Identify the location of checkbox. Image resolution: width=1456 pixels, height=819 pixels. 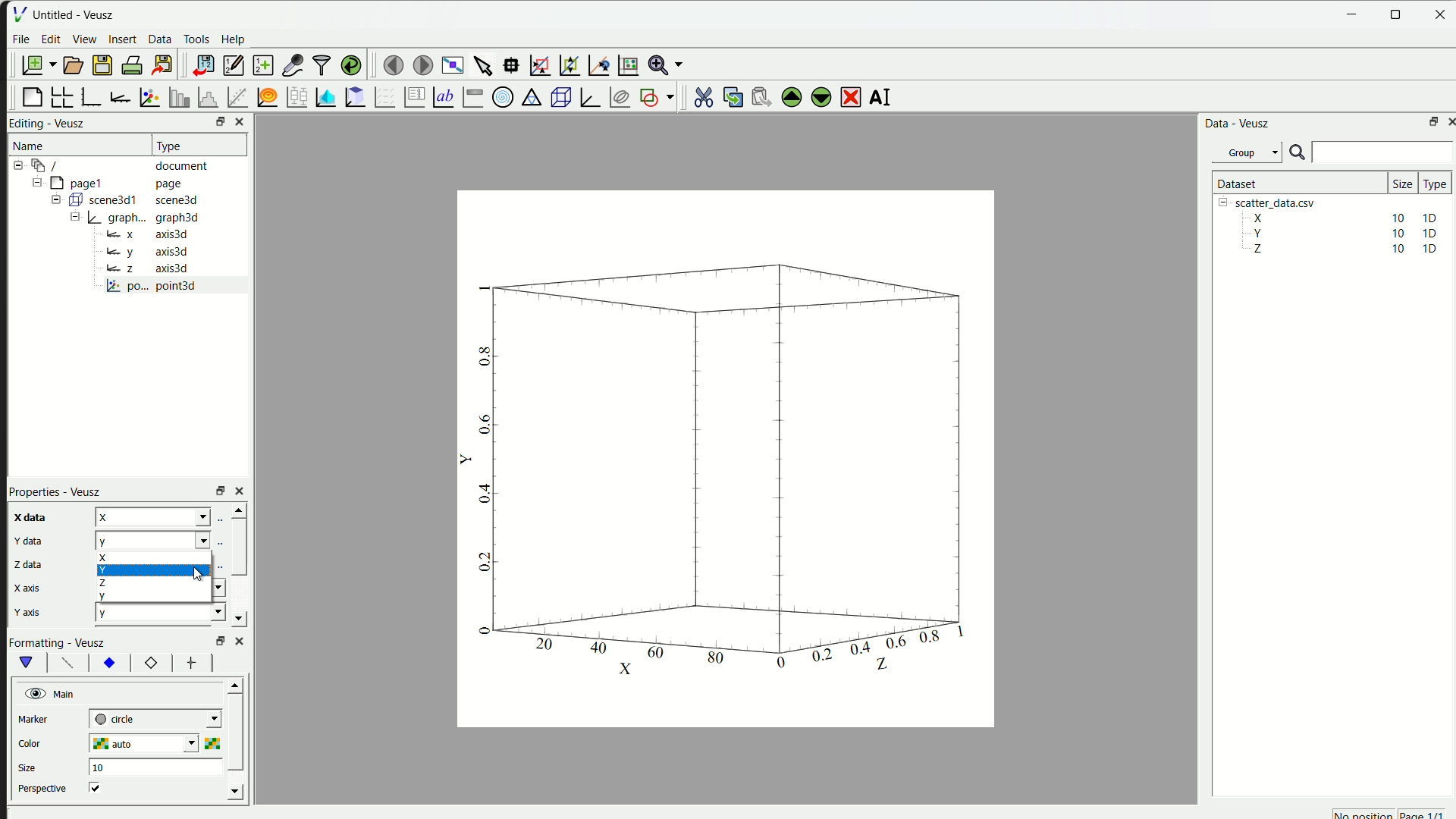
(99, 787).